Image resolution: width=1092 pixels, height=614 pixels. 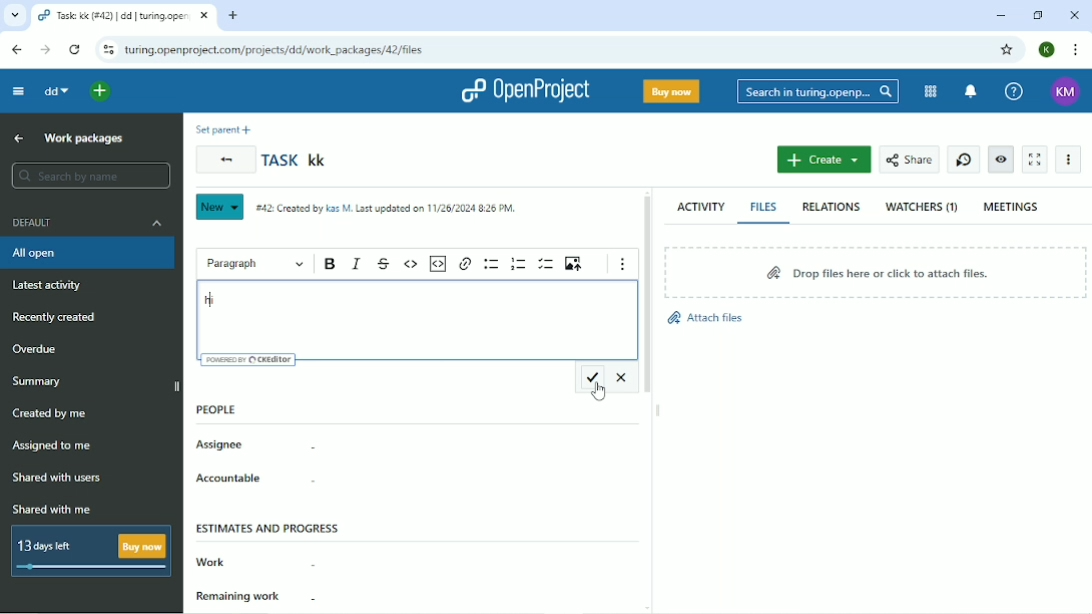 I want to click on To-do list, so click(x=546, y=263).